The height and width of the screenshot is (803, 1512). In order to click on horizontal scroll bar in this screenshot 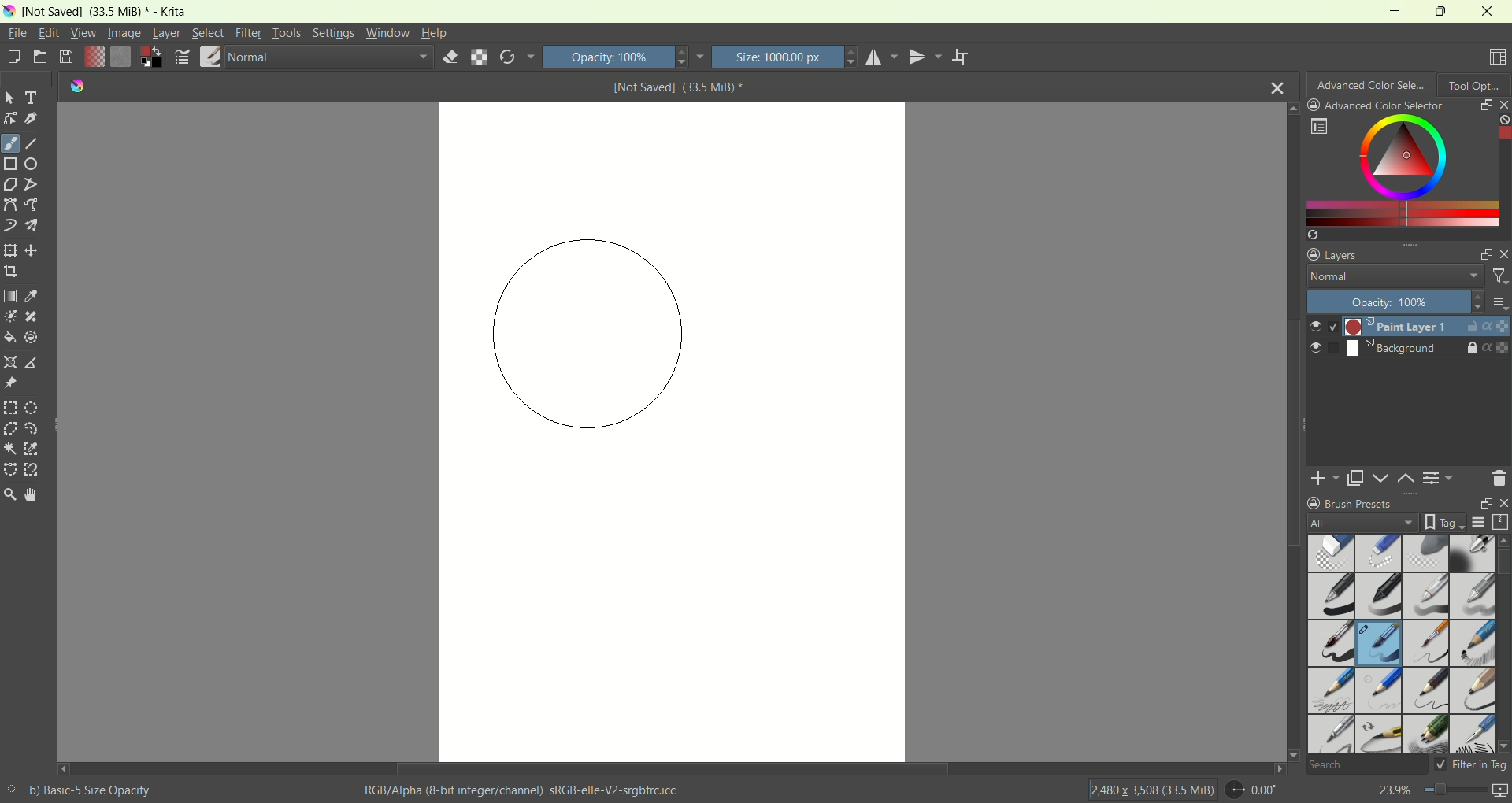, I will do `click(672, 769)`.